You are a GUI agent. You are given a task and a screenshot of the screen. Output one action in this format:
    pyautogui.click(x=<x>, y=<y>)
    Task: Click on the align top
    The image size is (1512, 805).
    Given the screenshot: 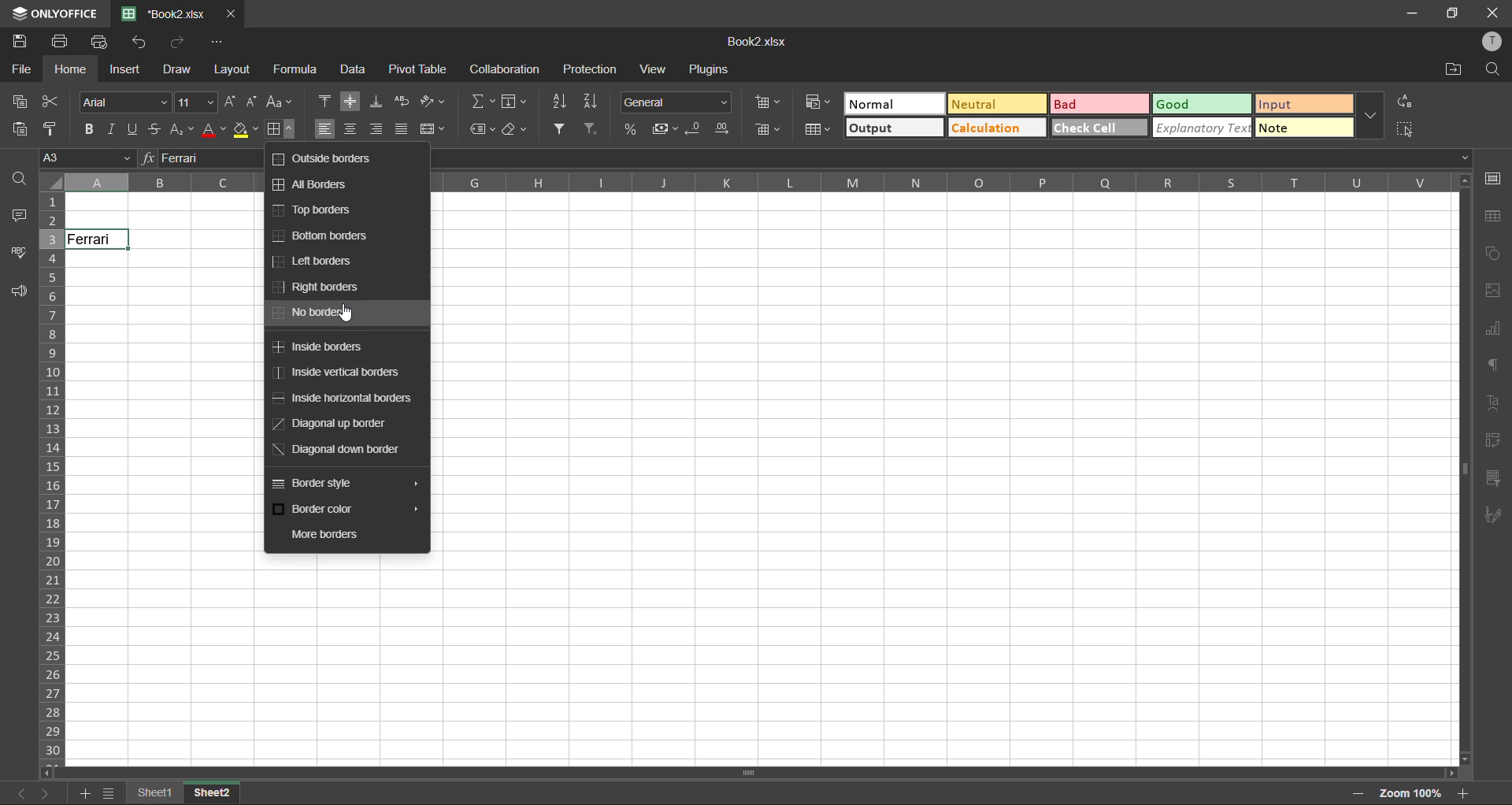 What is the action you would take?
    pyautogui.click(x=326, y=99)
    